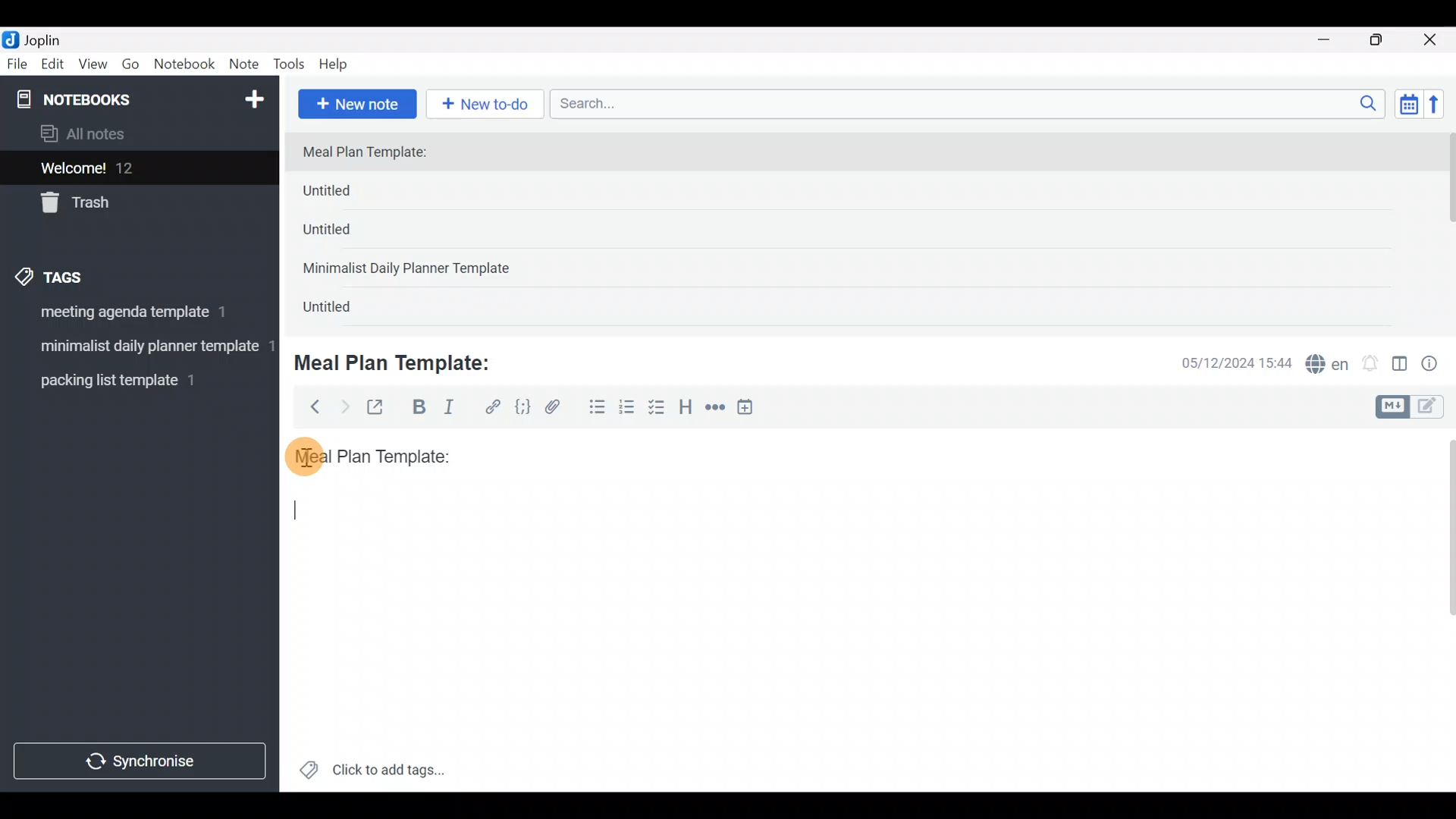  Describe the element at coordinates (1371, 365) in the screenshot. I see `Set alarm` at that location.